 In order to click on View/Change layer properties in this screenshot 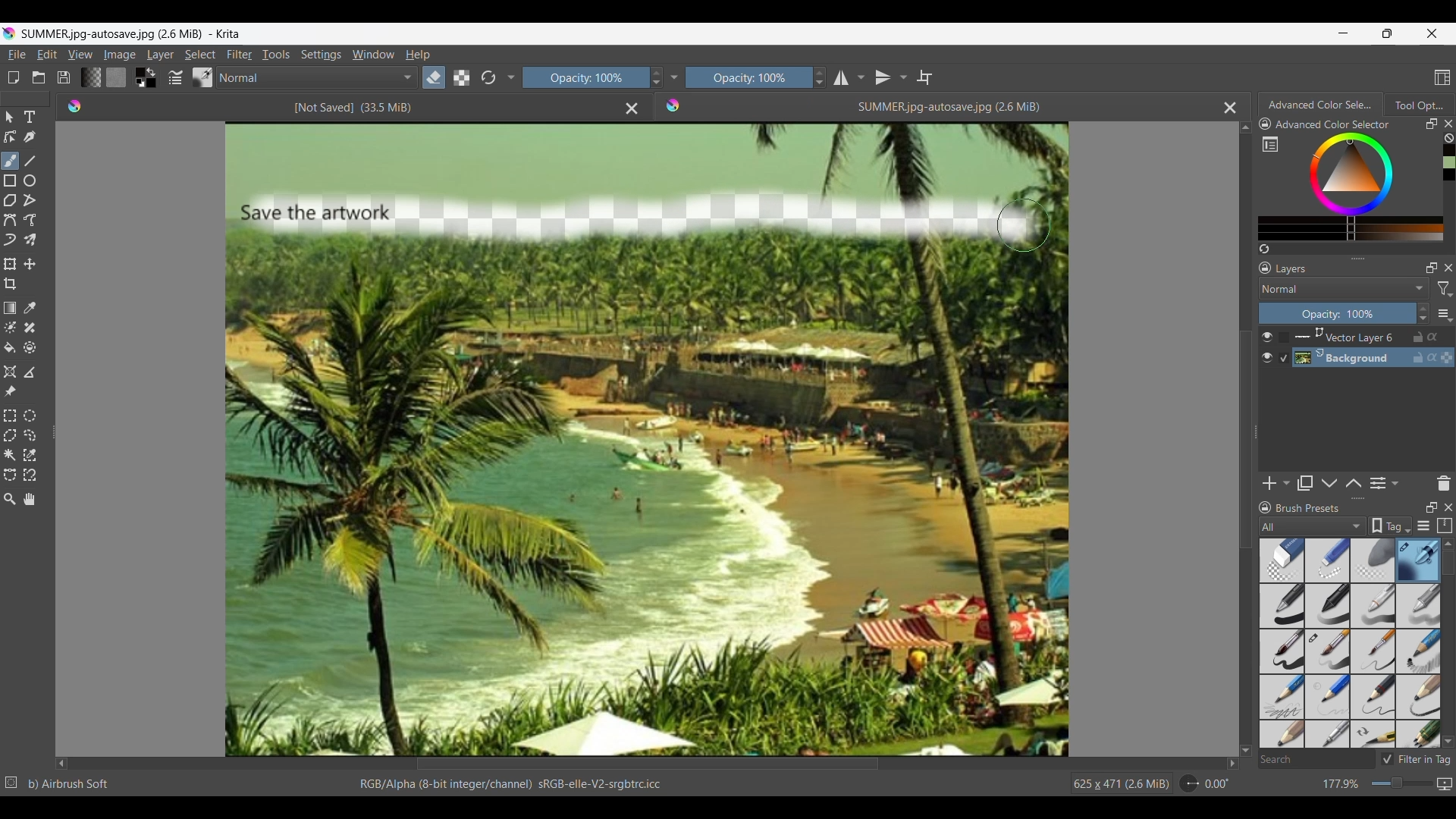, I will do `click(1385, 483)`.